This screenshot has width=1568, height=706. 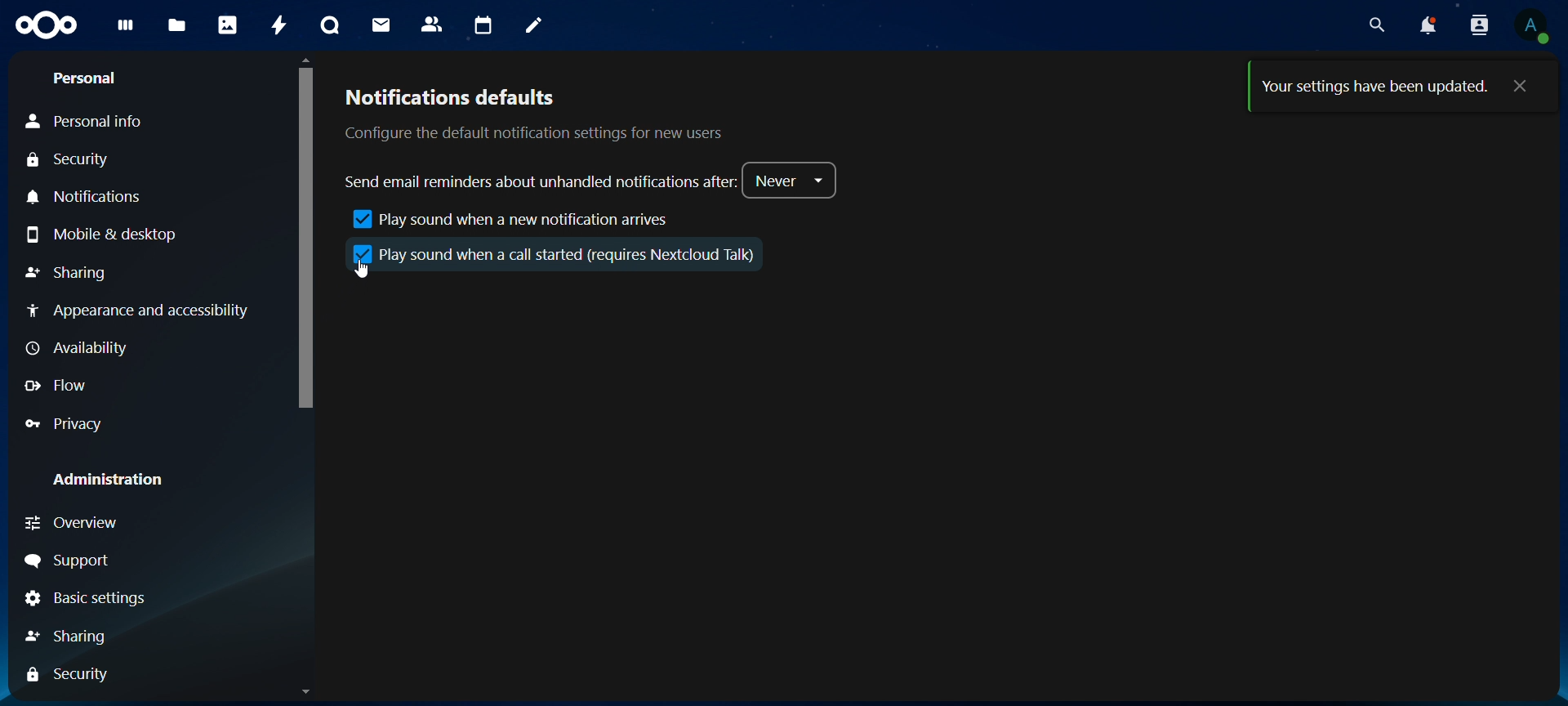 I want to click on notifications, so click(x=1430, y=29).